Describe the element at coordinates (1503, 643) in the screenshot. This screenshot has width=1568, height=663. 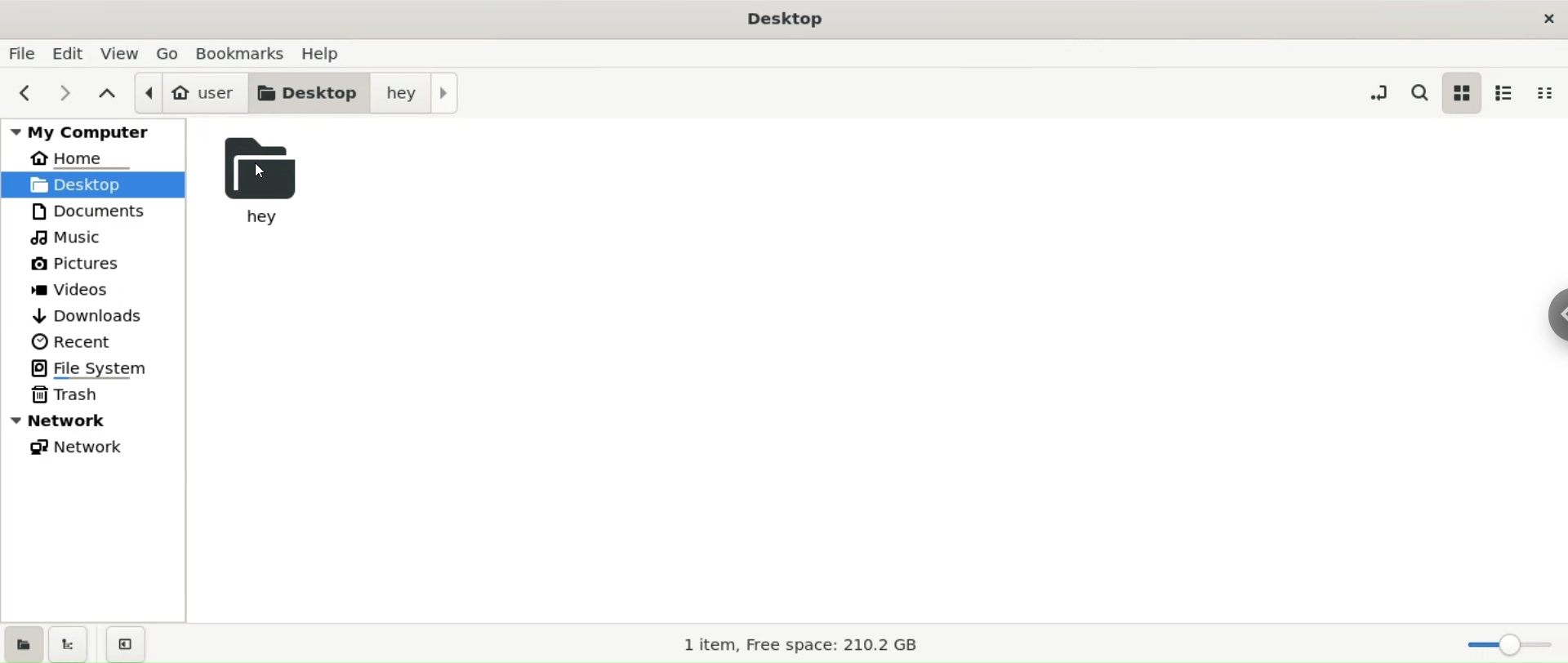
I see `zoom` at that location.